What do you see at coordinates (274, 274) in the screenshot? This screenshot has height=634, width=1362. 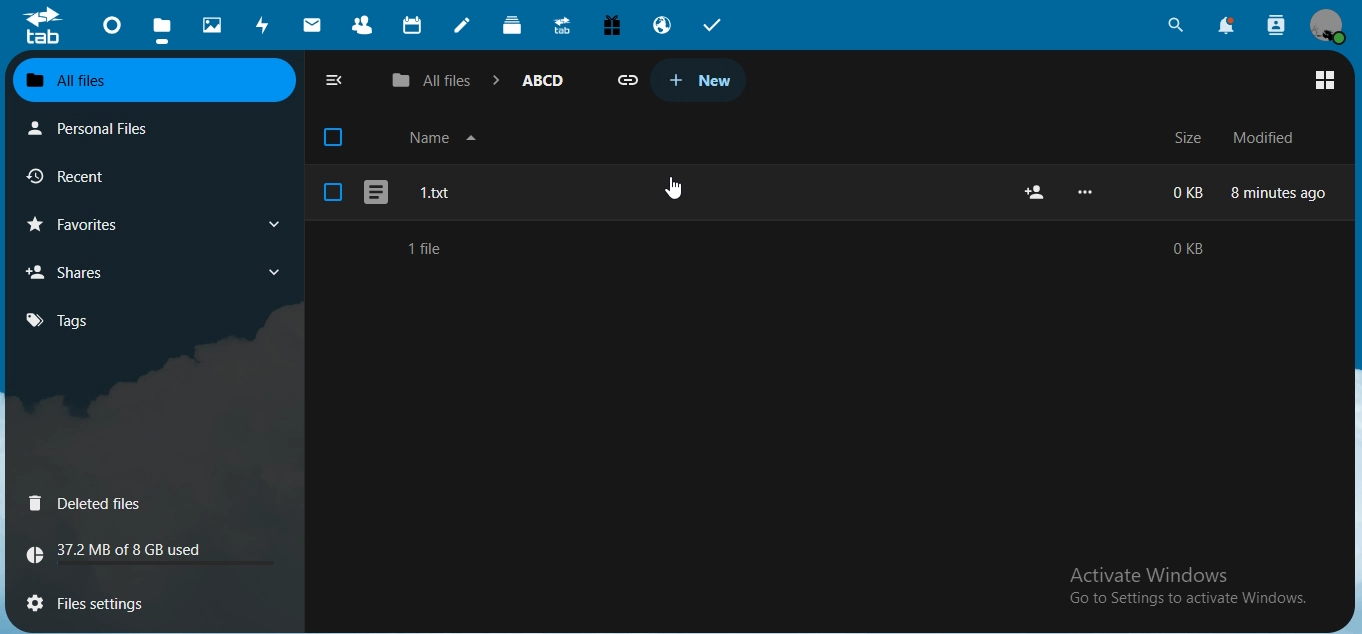 I see `show` at bounding box center [274, 274].